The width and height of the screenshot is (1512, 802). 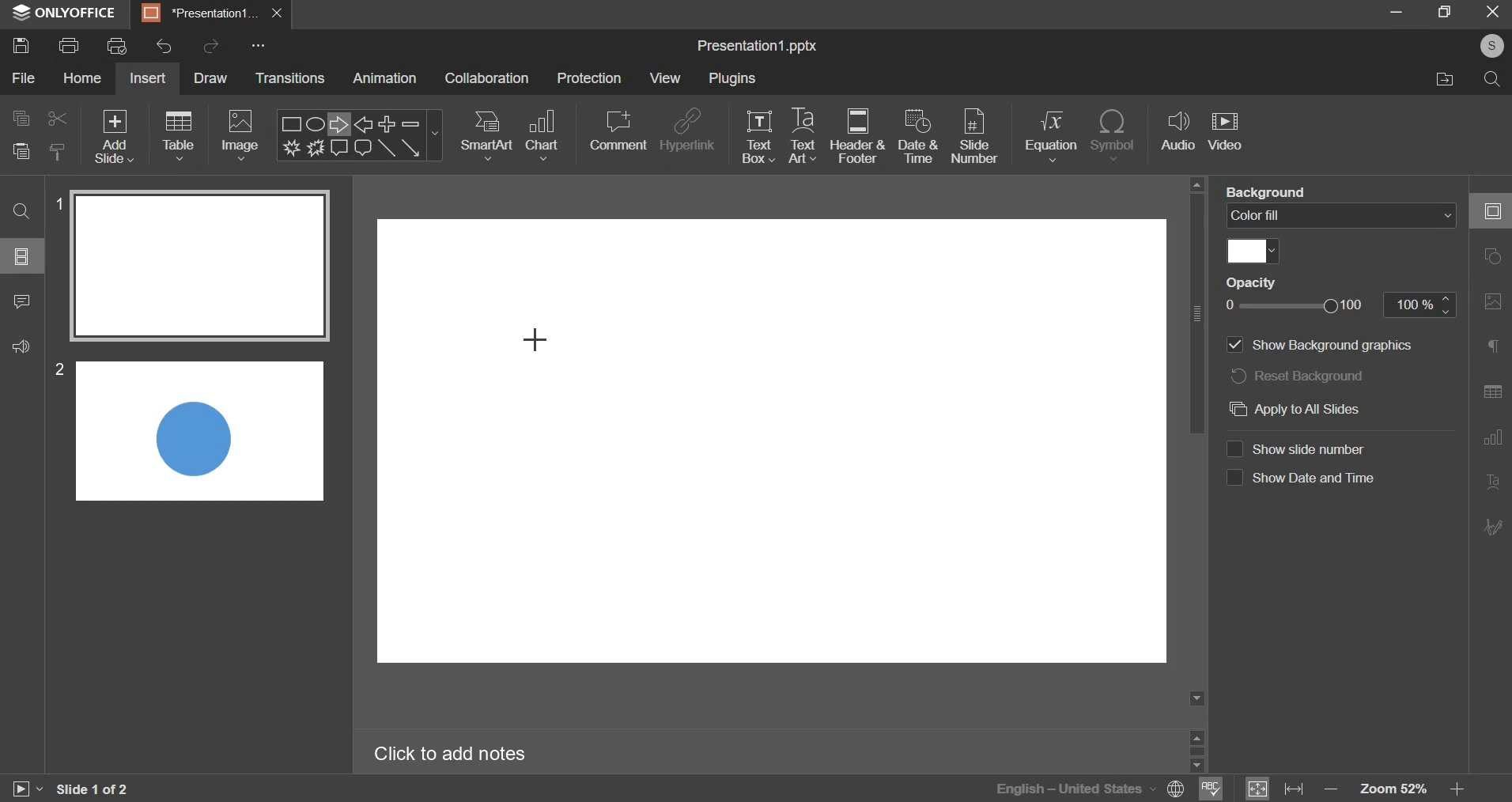 I want to click on find, so click(x=20, y=210).